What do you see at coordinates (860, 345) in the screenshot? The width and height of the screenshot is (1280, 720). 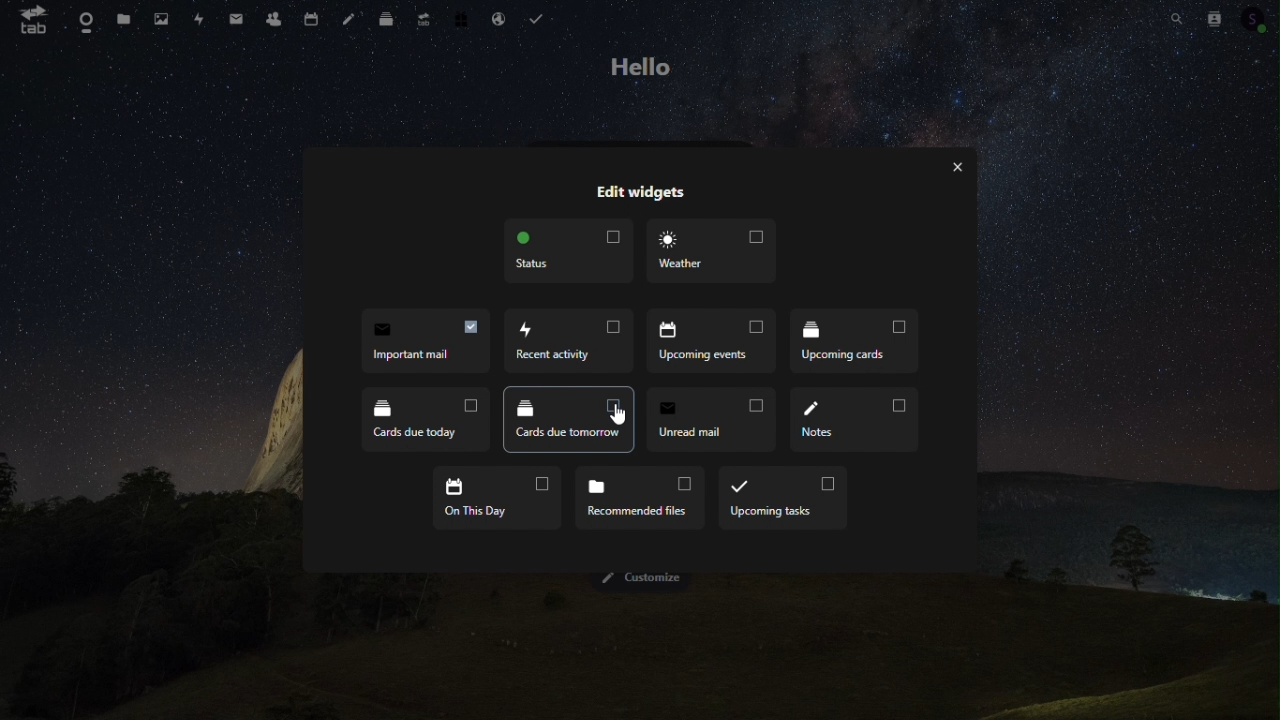 I see `upcoming cards` at bounding box center [860, 345].